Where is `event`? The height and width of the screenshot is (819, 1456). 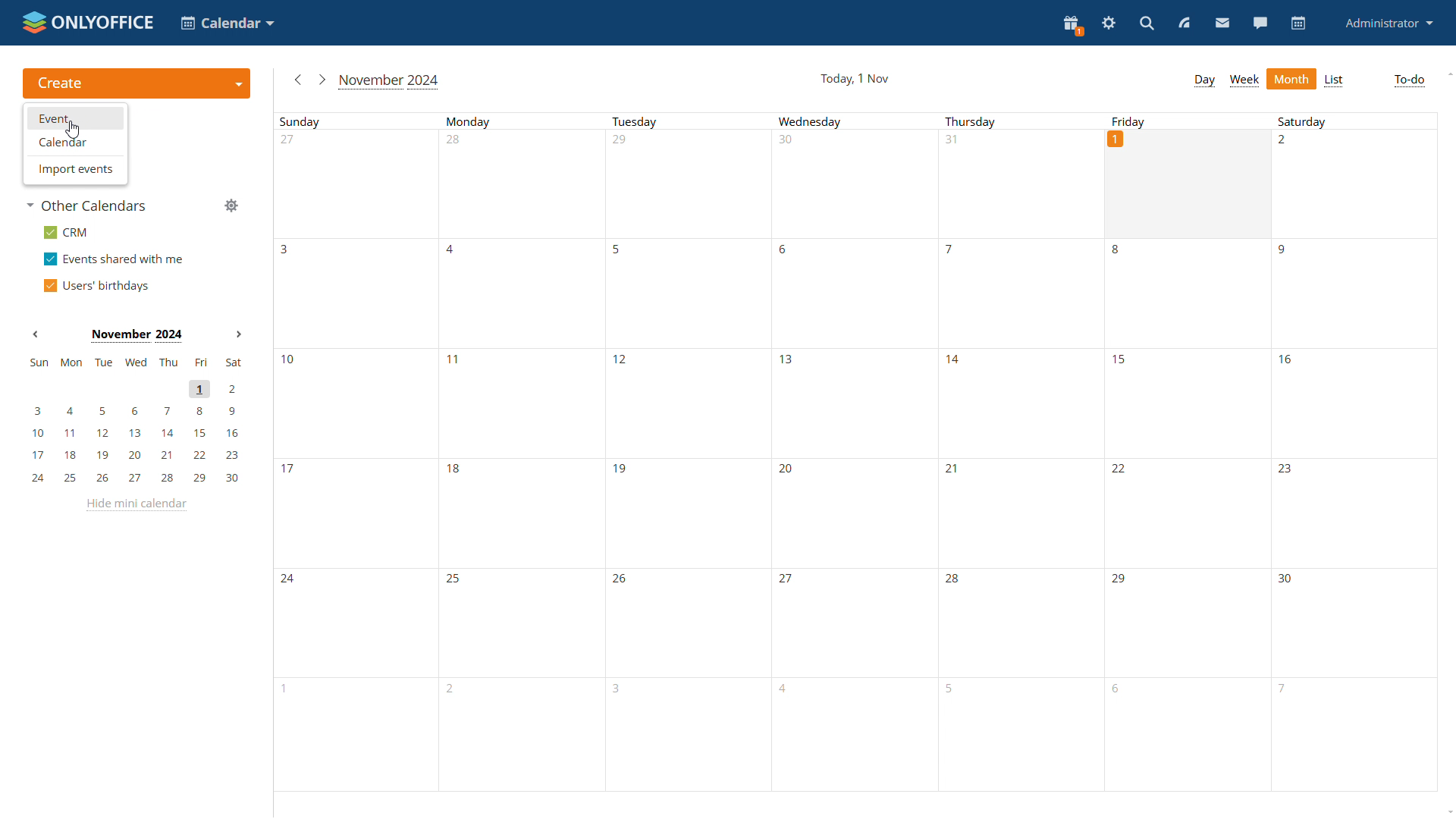
event is located at coordinates (74, 119).